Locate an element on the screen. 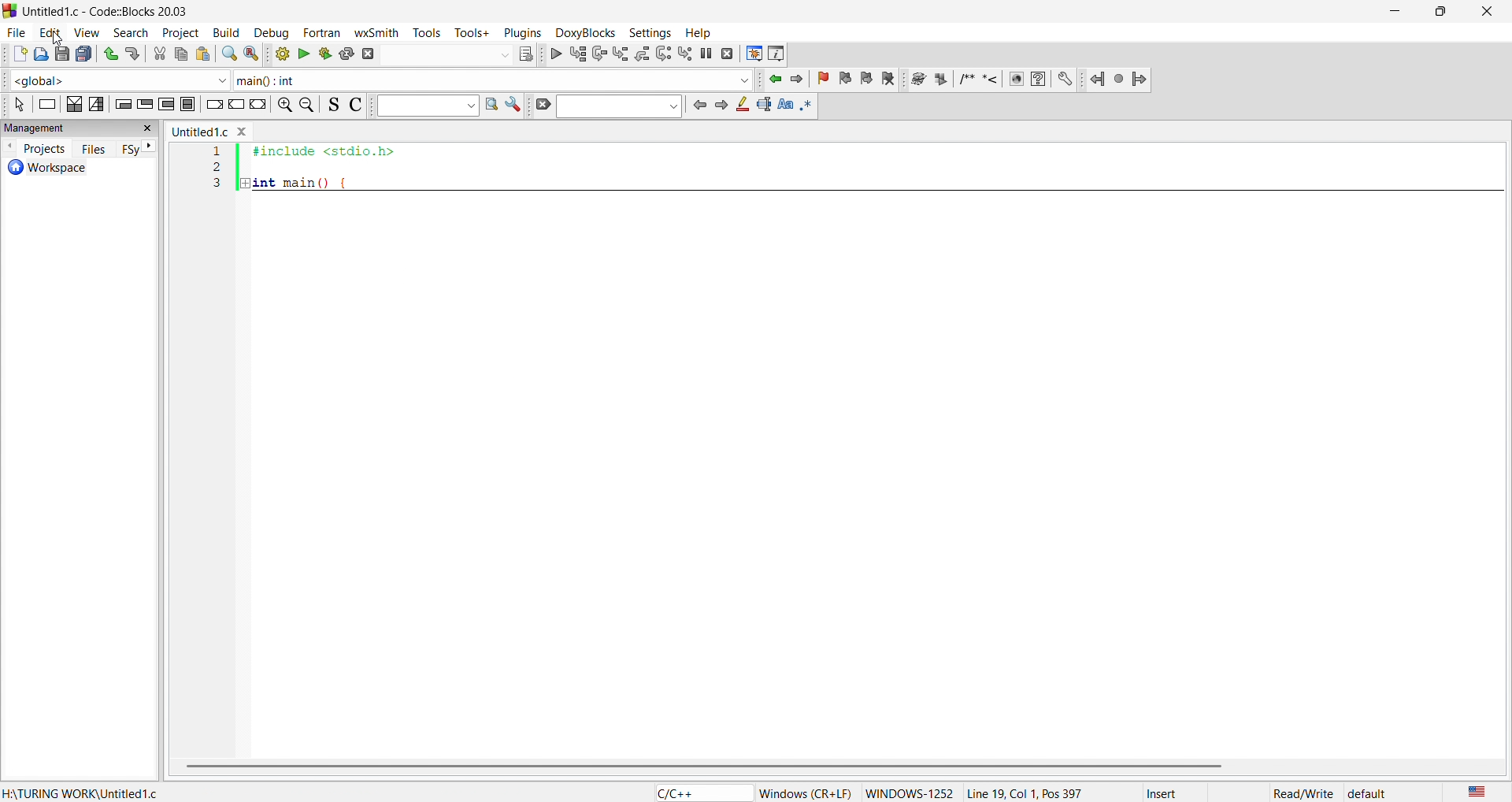 The width and height of the screenshot is (1512, 802). return instruction is located at coordinates (258, 106).